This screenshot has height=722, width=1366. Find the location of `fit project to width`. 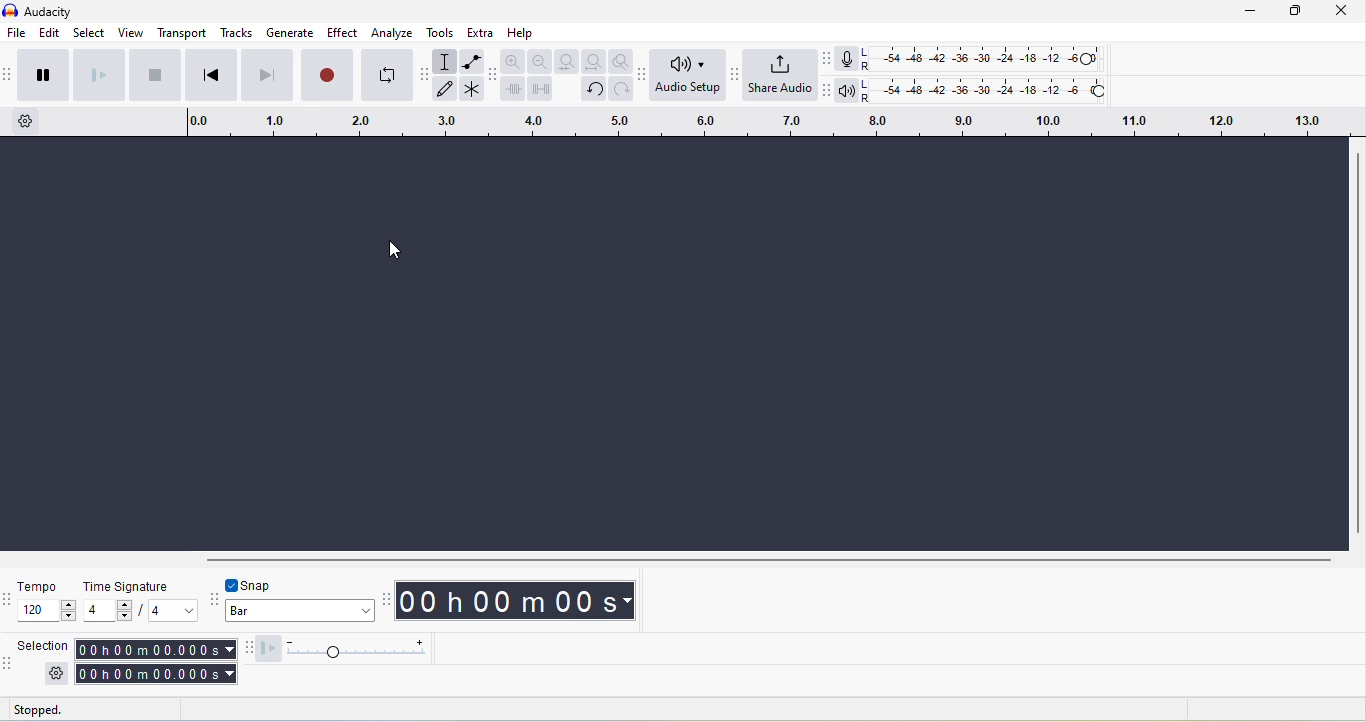

fit project to width is located at coordinates (595, 61).